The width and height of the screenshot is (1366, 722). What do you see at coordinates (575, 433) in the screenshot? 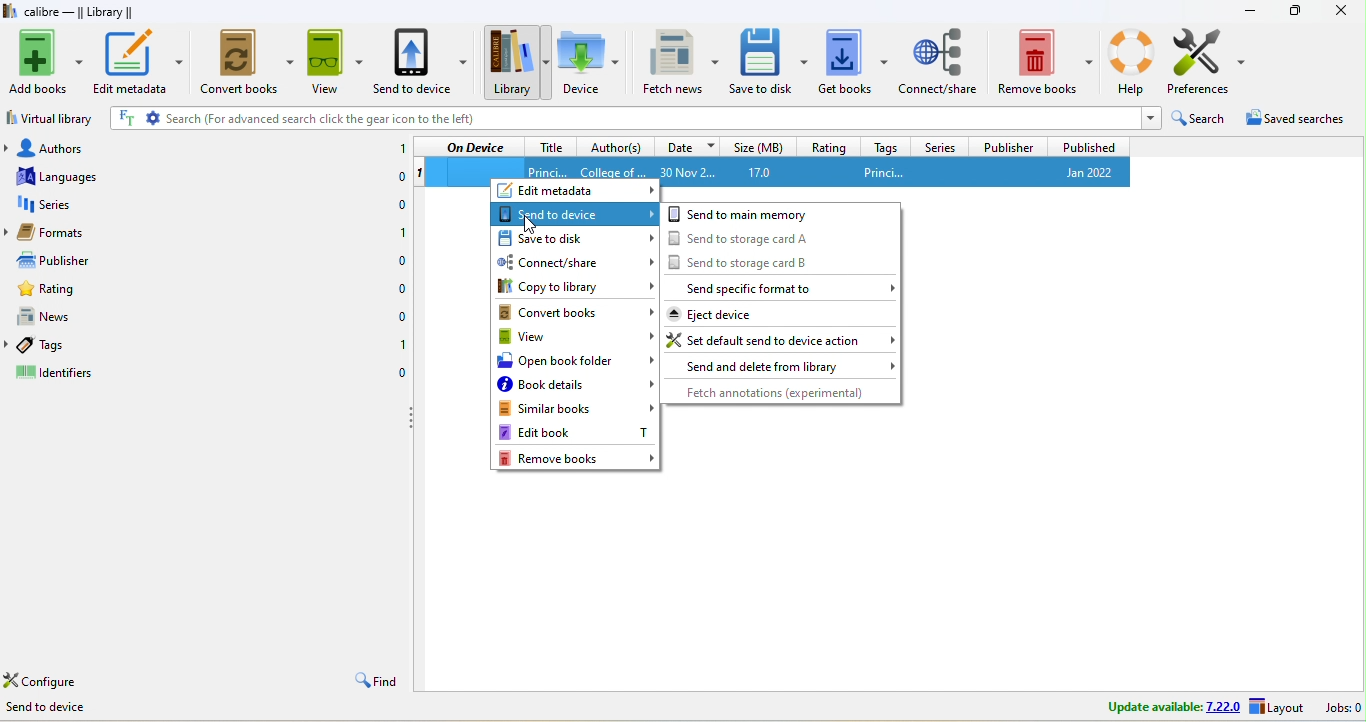
I see `edit book` at bounding box center [575, 433].